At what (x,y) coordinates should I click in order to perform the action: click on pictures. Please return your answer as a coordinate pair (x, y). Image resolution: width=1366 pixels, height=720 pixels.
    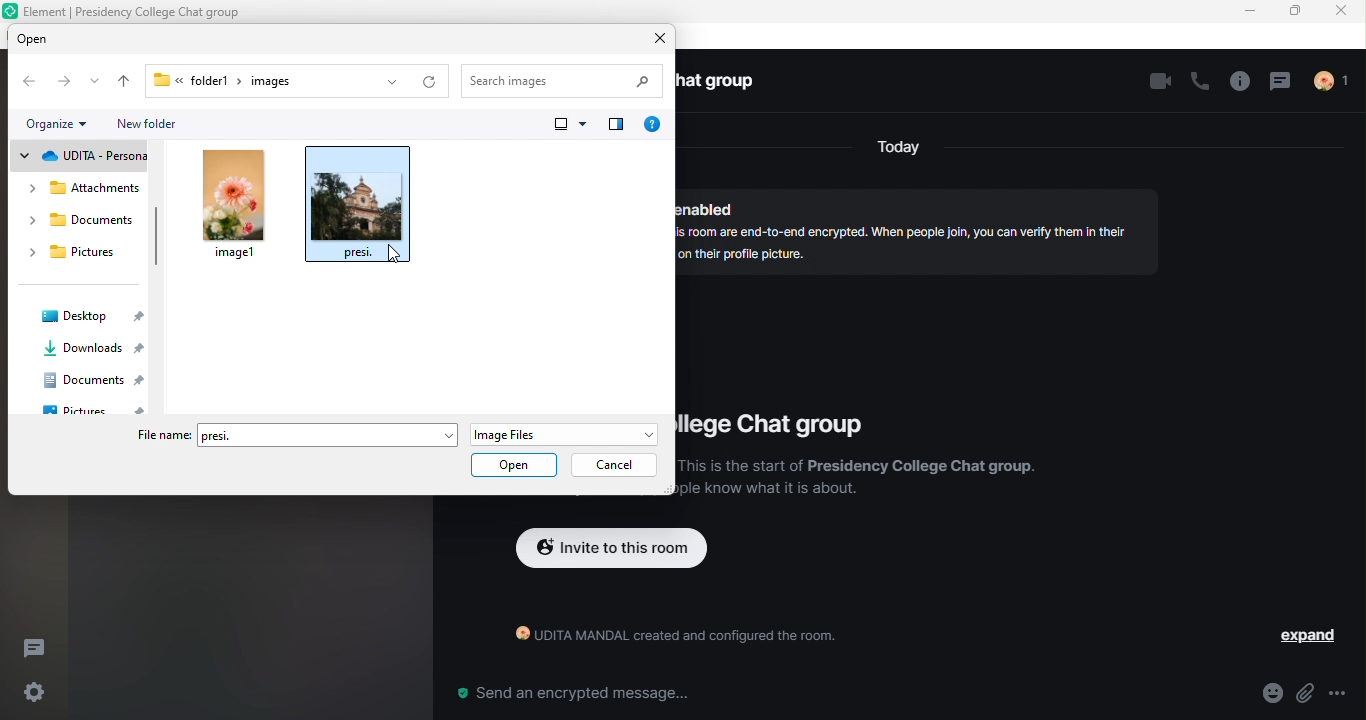
    Looking at the image, I should click on (78, 255).